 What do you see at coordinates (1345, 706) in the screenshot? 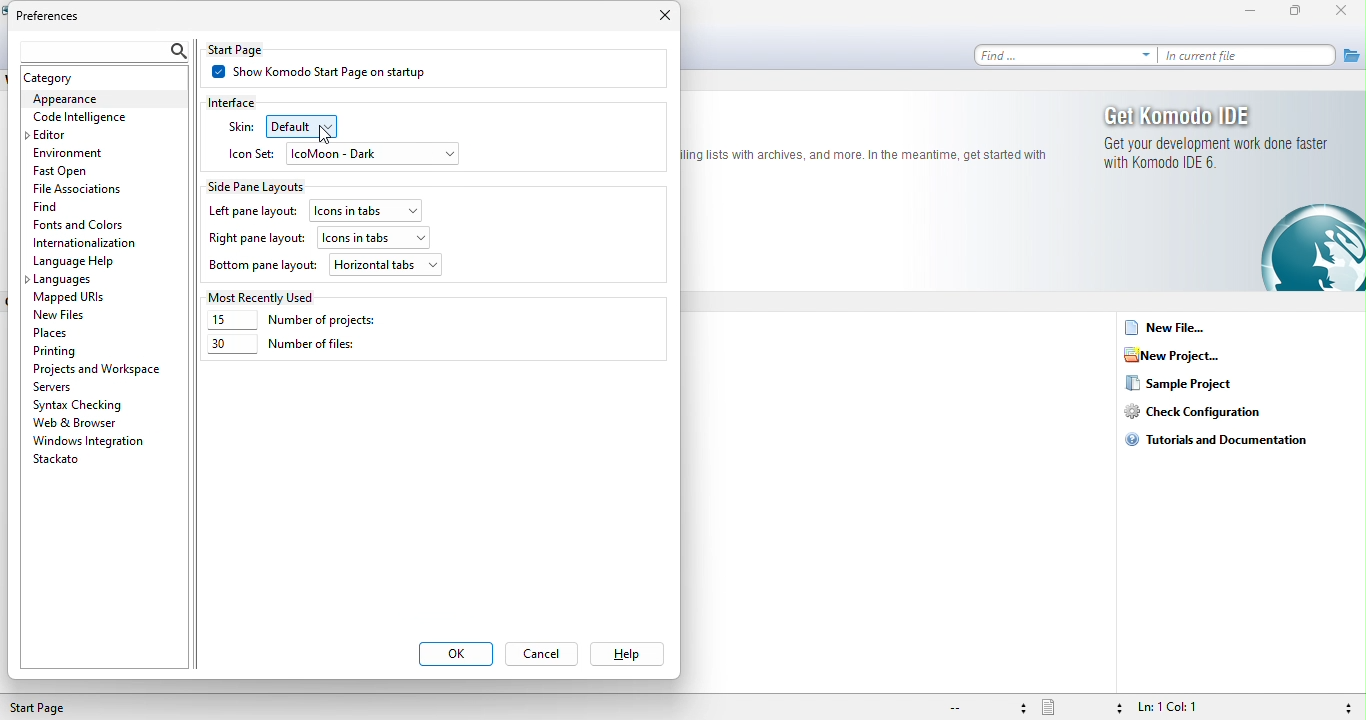
I see `syntax checking` at bounding box center [1345, 706].